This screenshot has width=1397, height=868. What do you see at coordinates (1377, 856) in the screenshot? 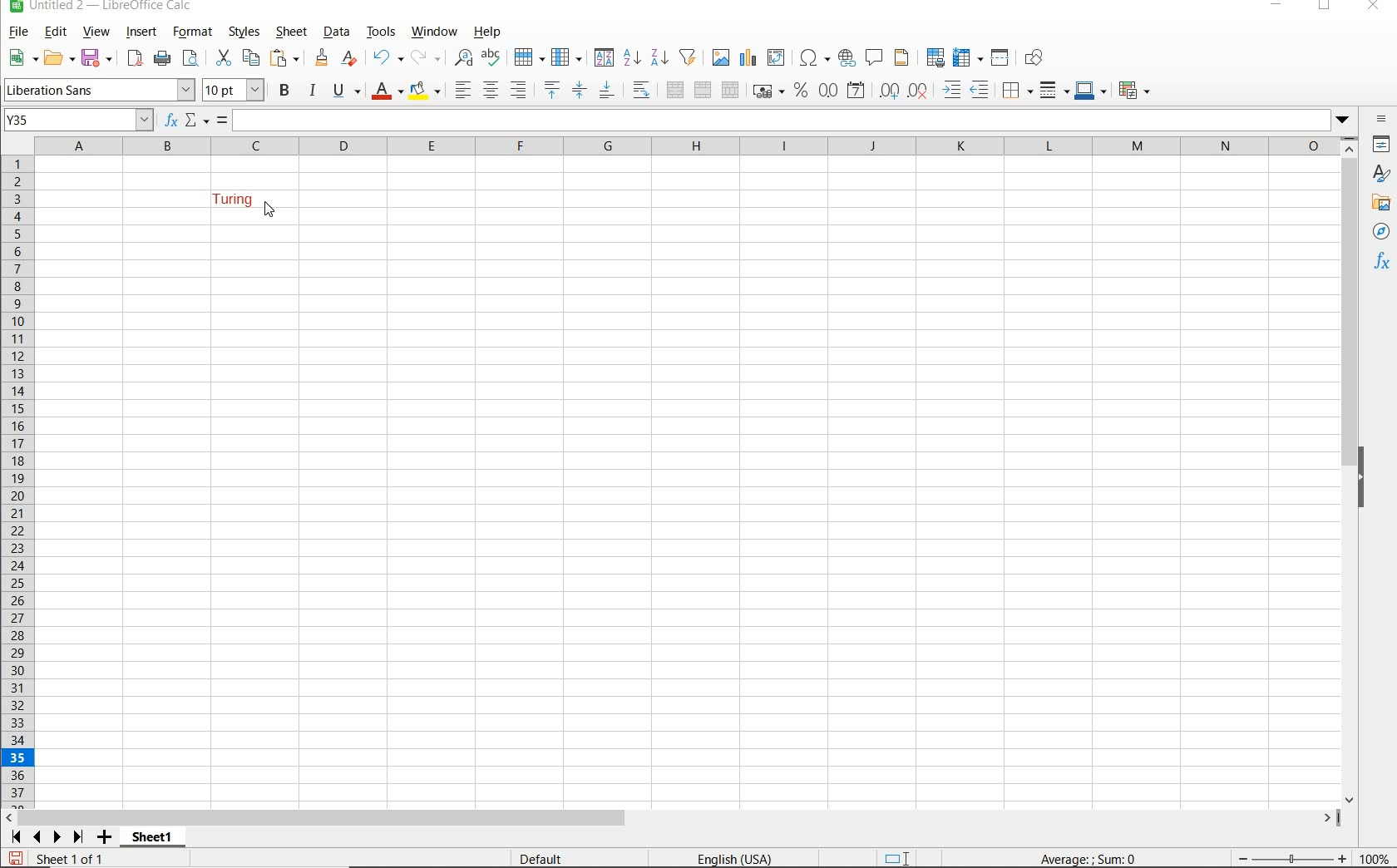
I see `ZOOM FACTOR` at bounding box center [1377, 856].